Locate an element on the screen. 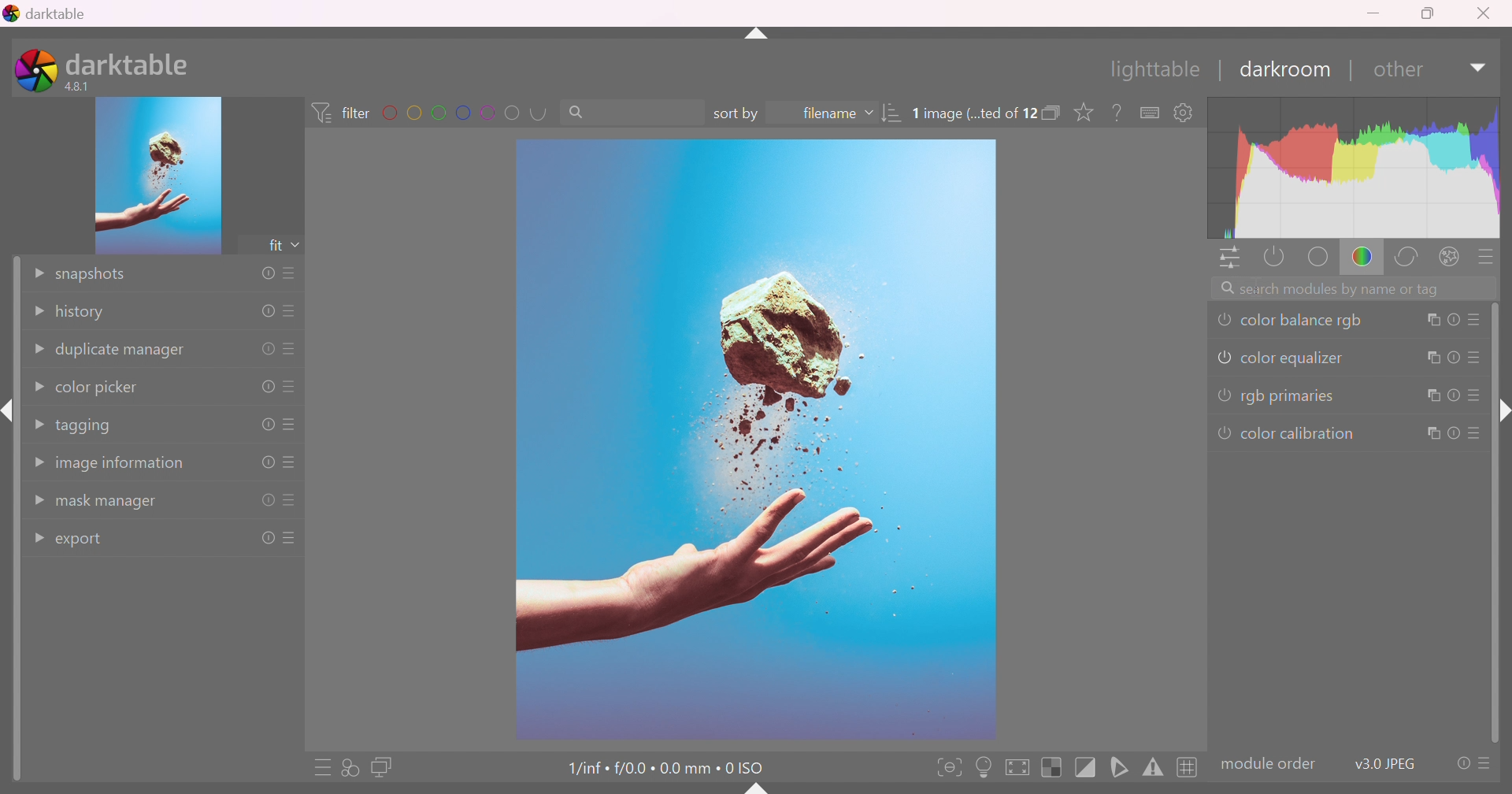 The height and width of the screenshot is (794, 1512). toggle guide lines is located at coordinates (1186, 768).